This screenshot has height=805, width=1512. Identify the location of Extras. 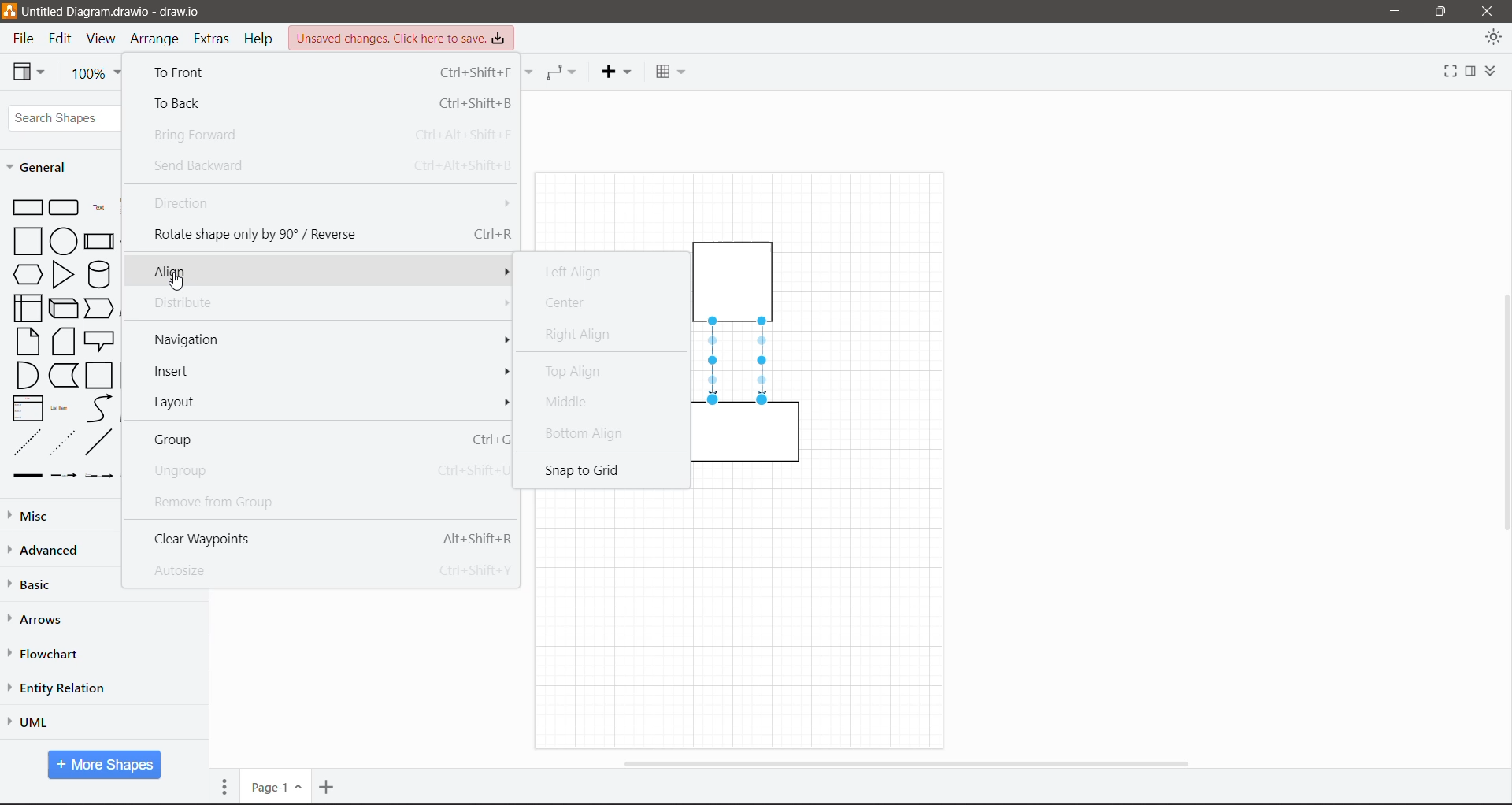
(213, 39).